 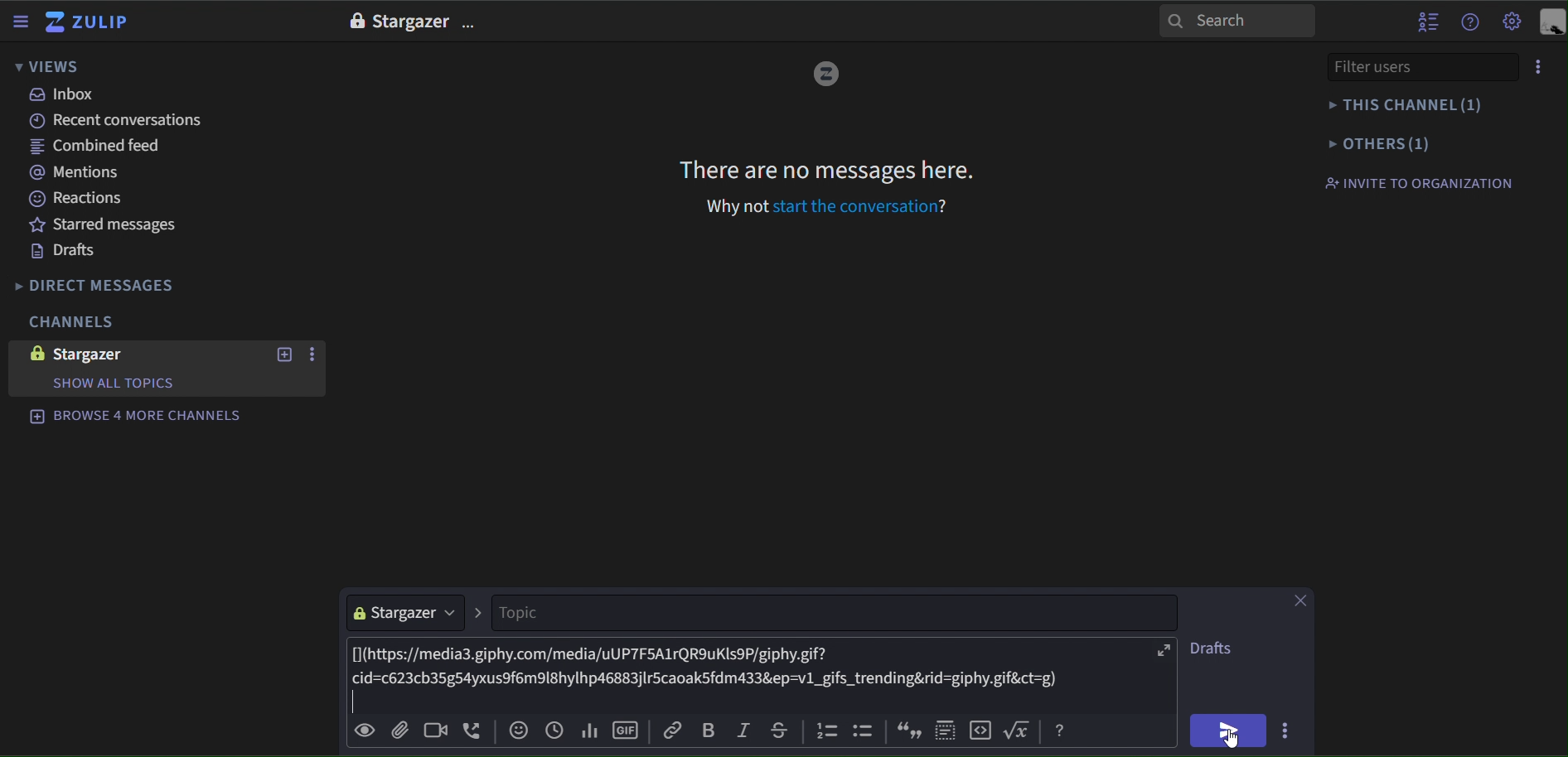 I want to click on topics, so click(x=833, y=614).